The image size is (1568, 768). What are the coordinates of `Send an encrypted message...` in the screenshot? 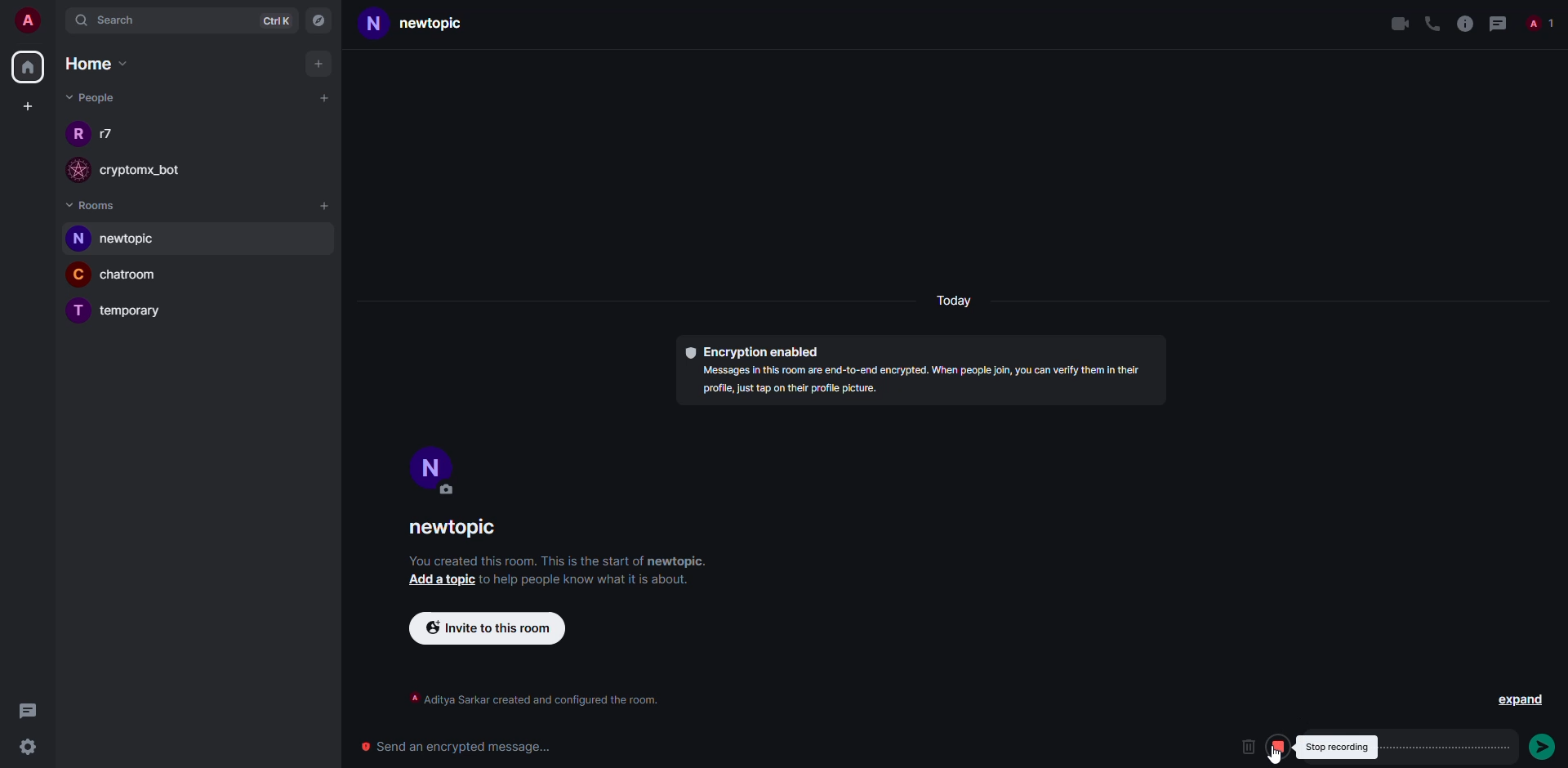 It's located at (466, 748).